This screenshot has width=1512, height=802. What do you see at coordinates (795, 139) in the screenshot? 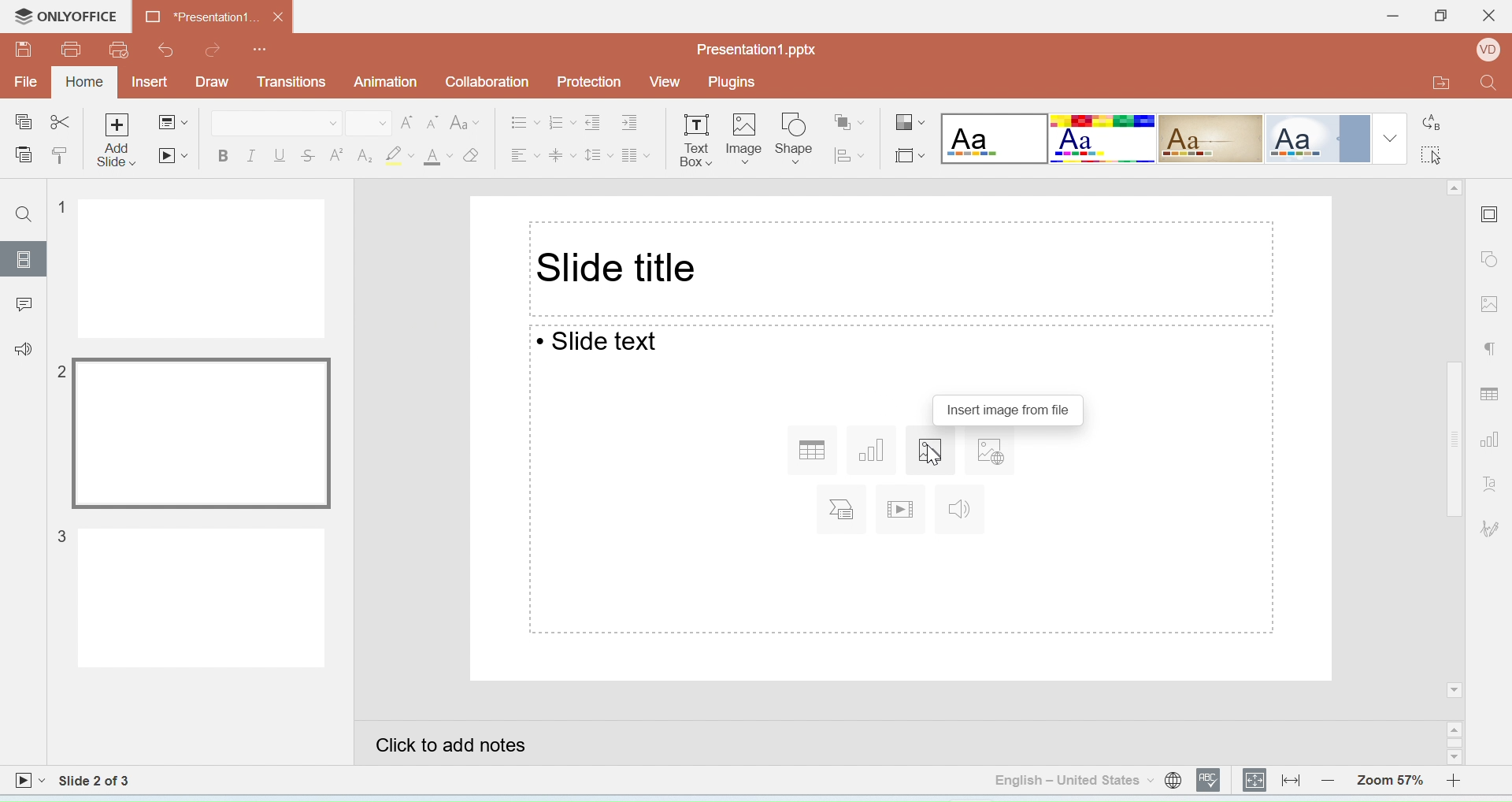
I see `Insert shape` at bounding box center [795, 139].